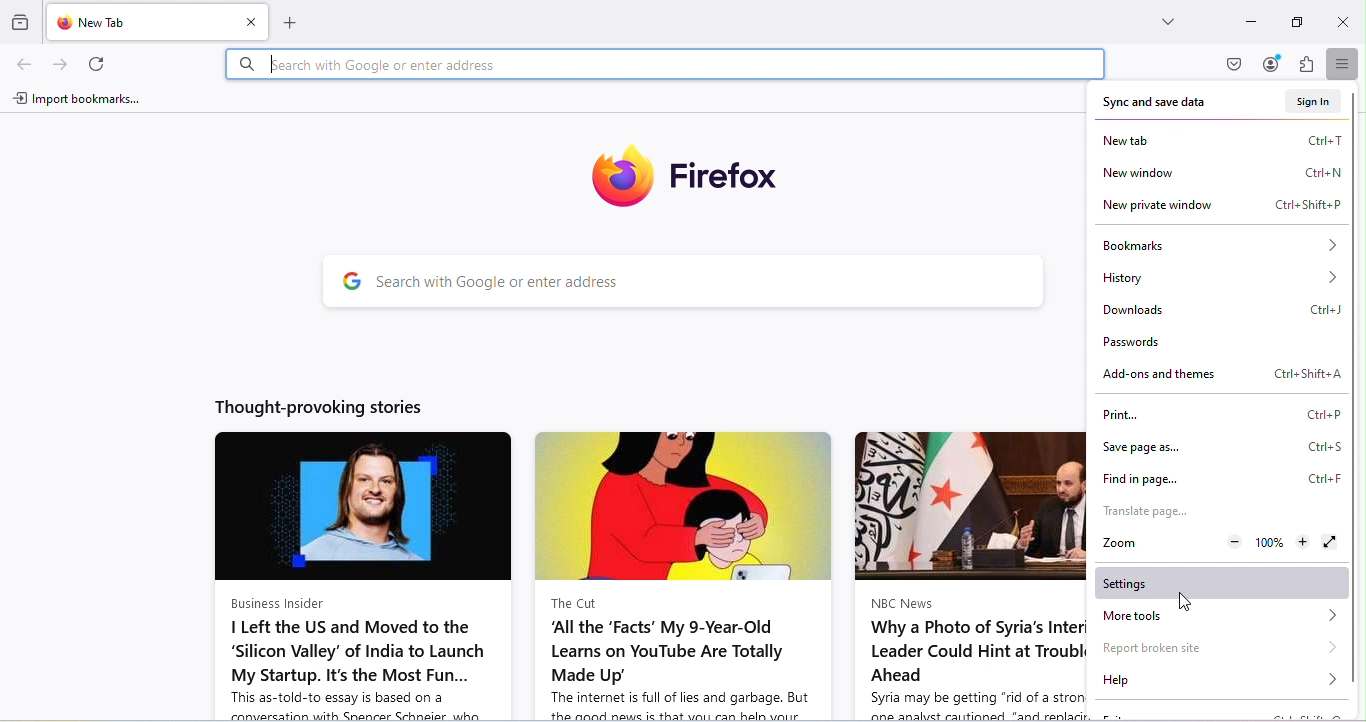 The width and height of the screenshot is (1366, 722). I want to click on Address bar, so click(663, 66).